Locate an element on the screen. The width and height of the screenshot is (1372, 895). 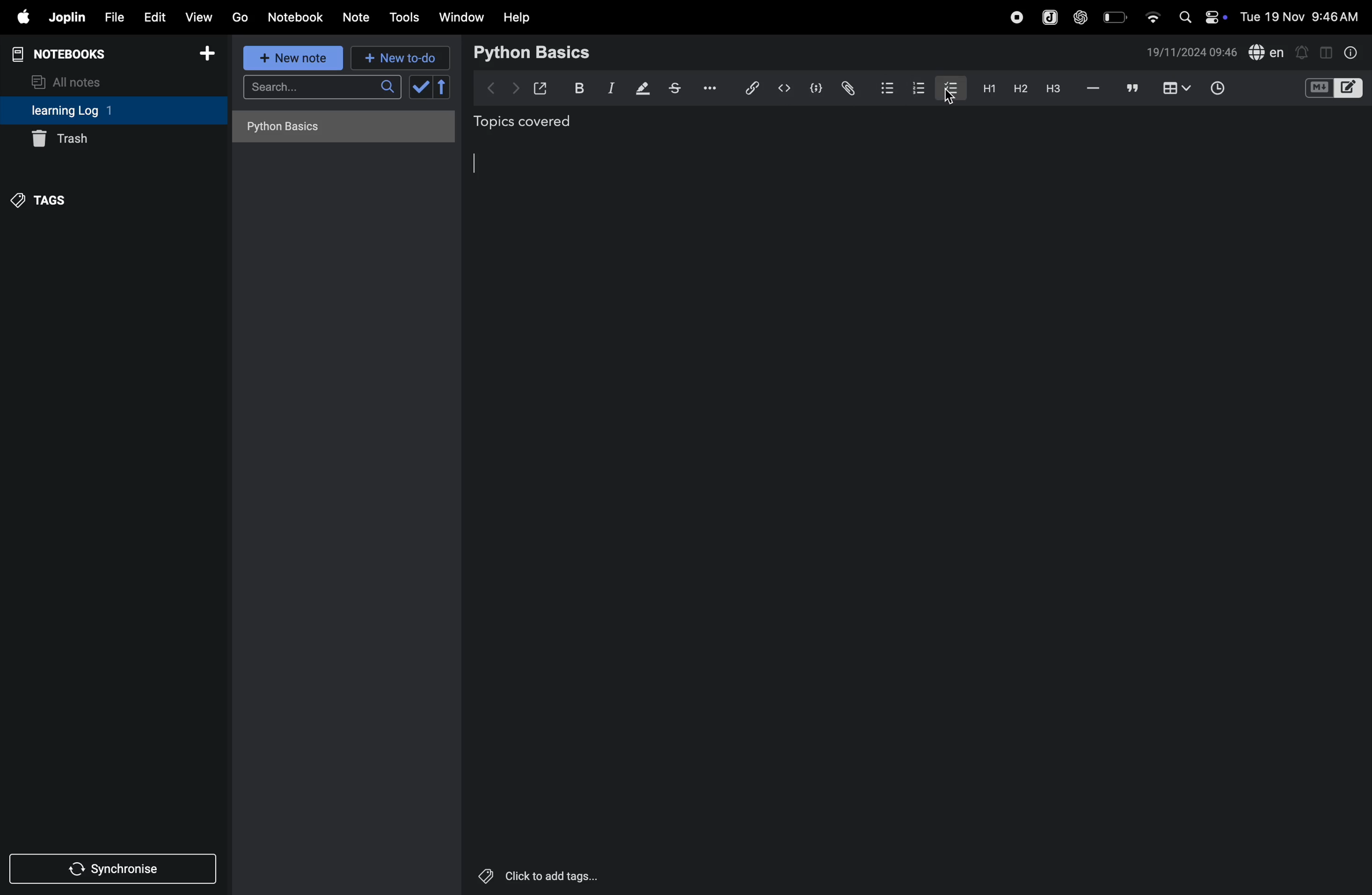
toggle editor layout is located at coordinates (1327, 51).